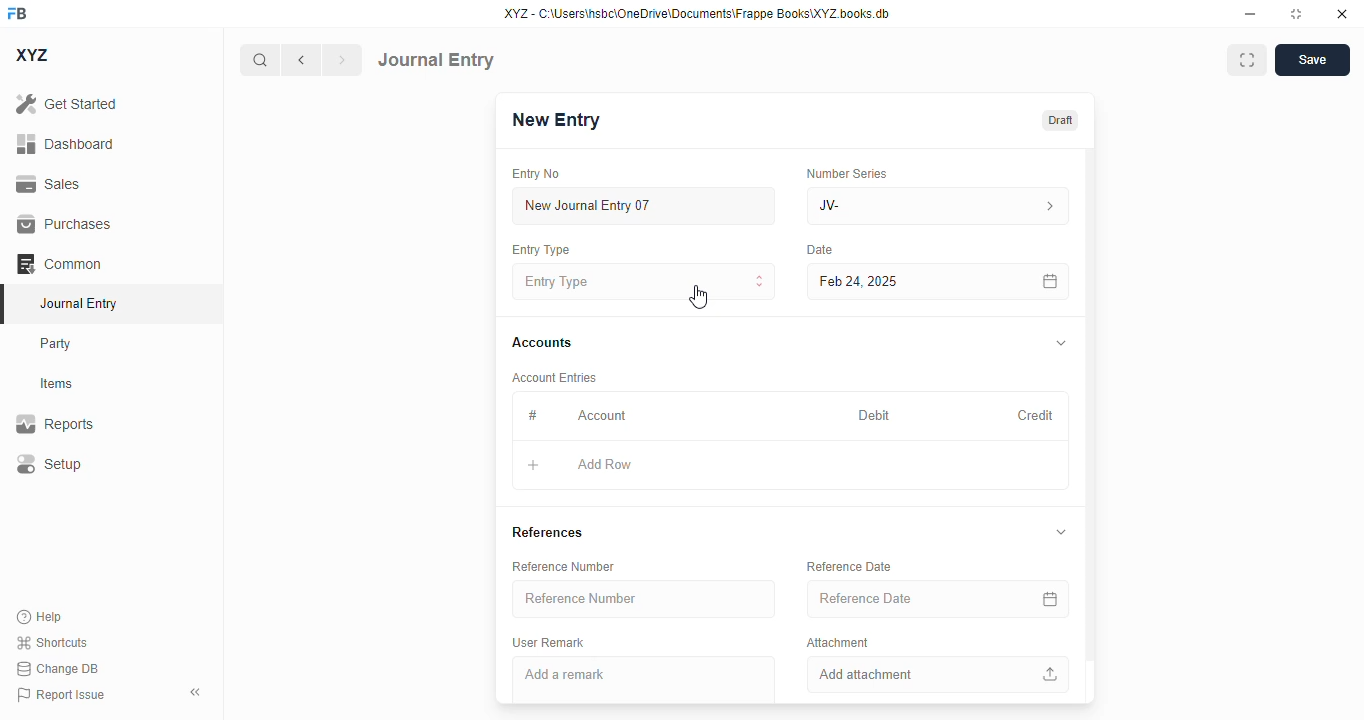 The height and width of the screenshot is (720, 1364). Describe the element at coordinates (436, 60) in the screenshot. I see `journal entry` at that location.